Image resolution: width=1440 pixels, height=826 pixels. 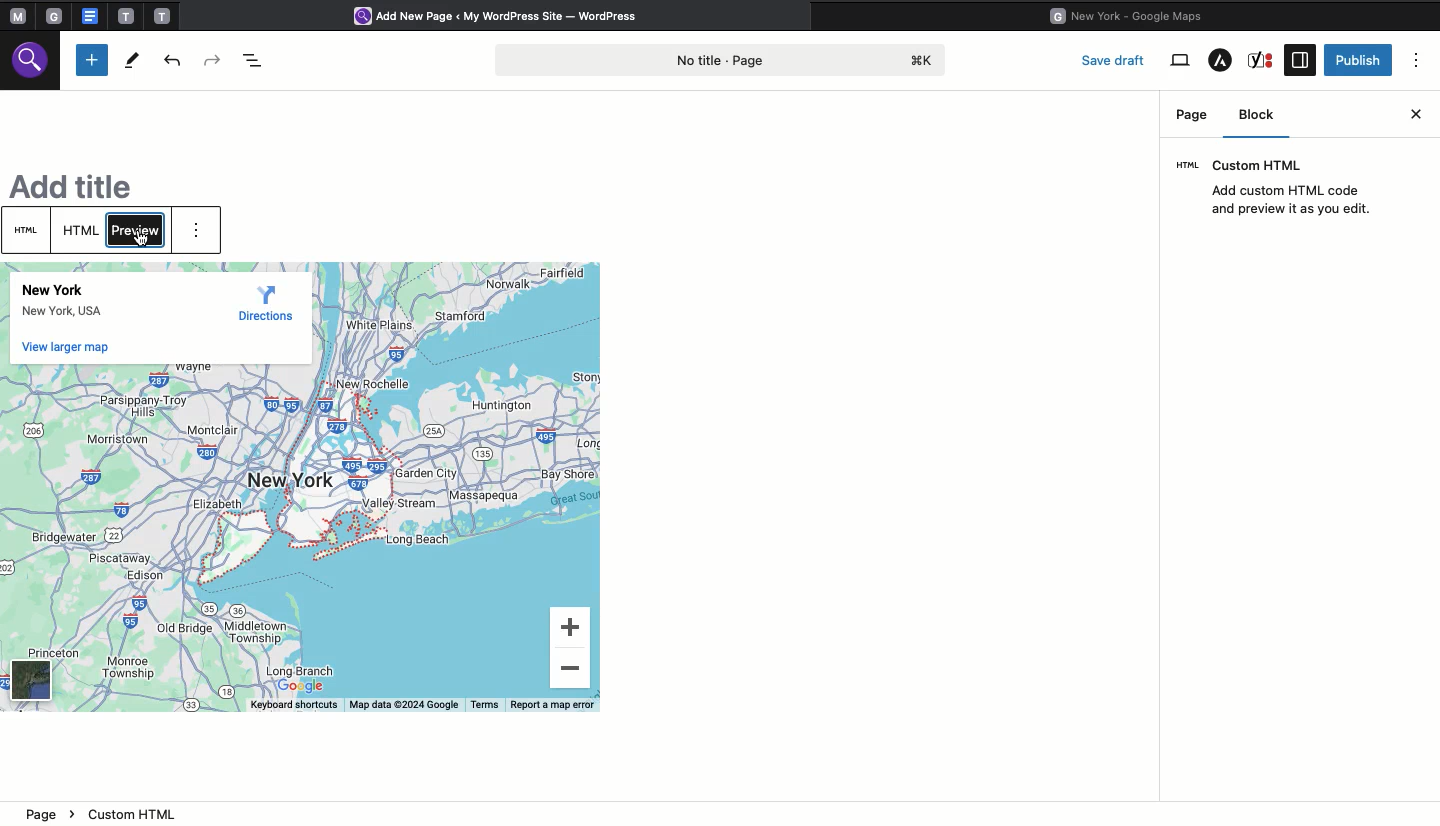 I want to click on Publish , so click(x=1359, y=59).